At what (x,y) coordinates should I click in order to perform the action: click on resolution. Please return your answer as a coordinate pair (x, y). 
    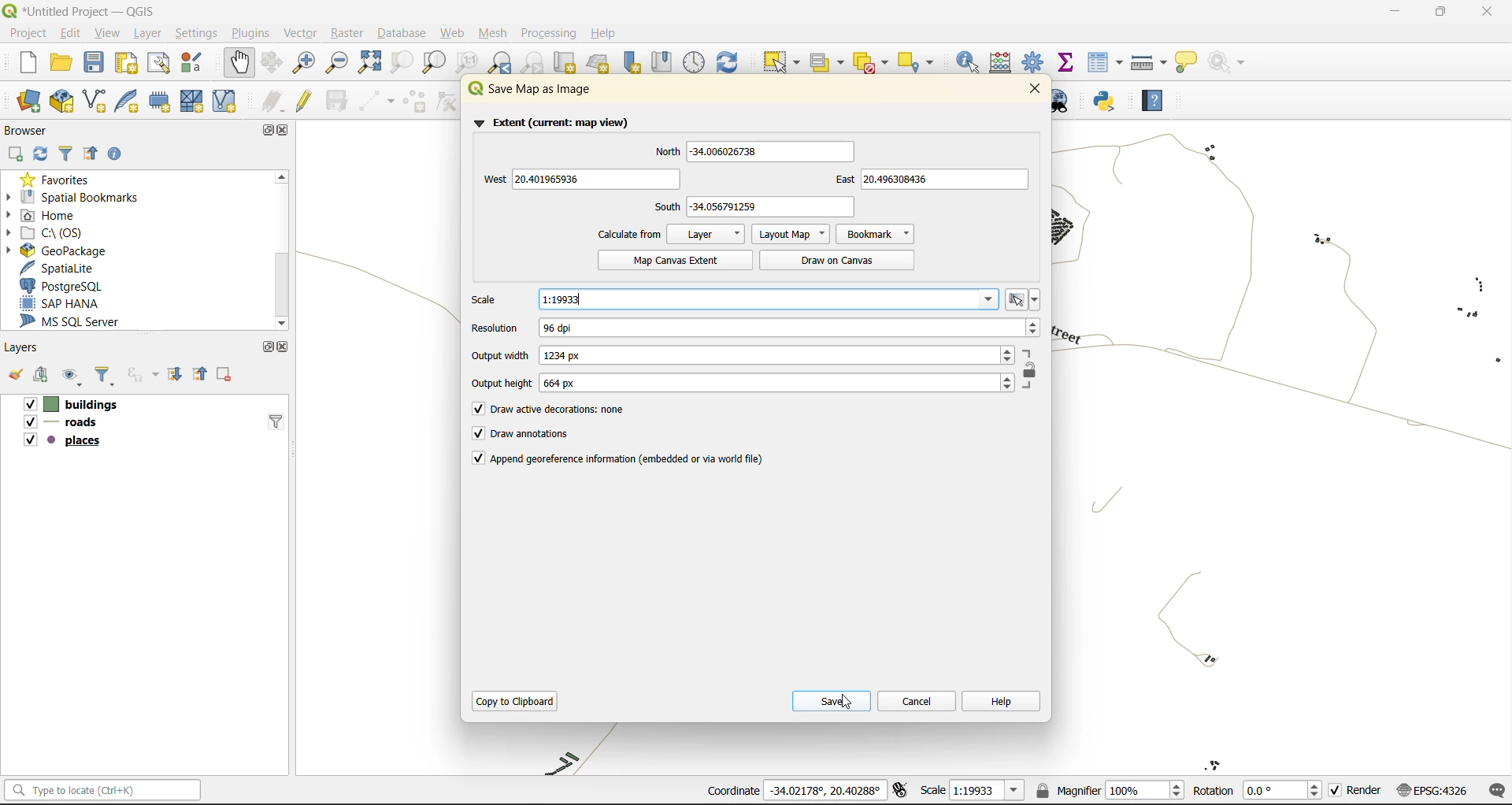
    Looking at the image, I should click on (756, 328).